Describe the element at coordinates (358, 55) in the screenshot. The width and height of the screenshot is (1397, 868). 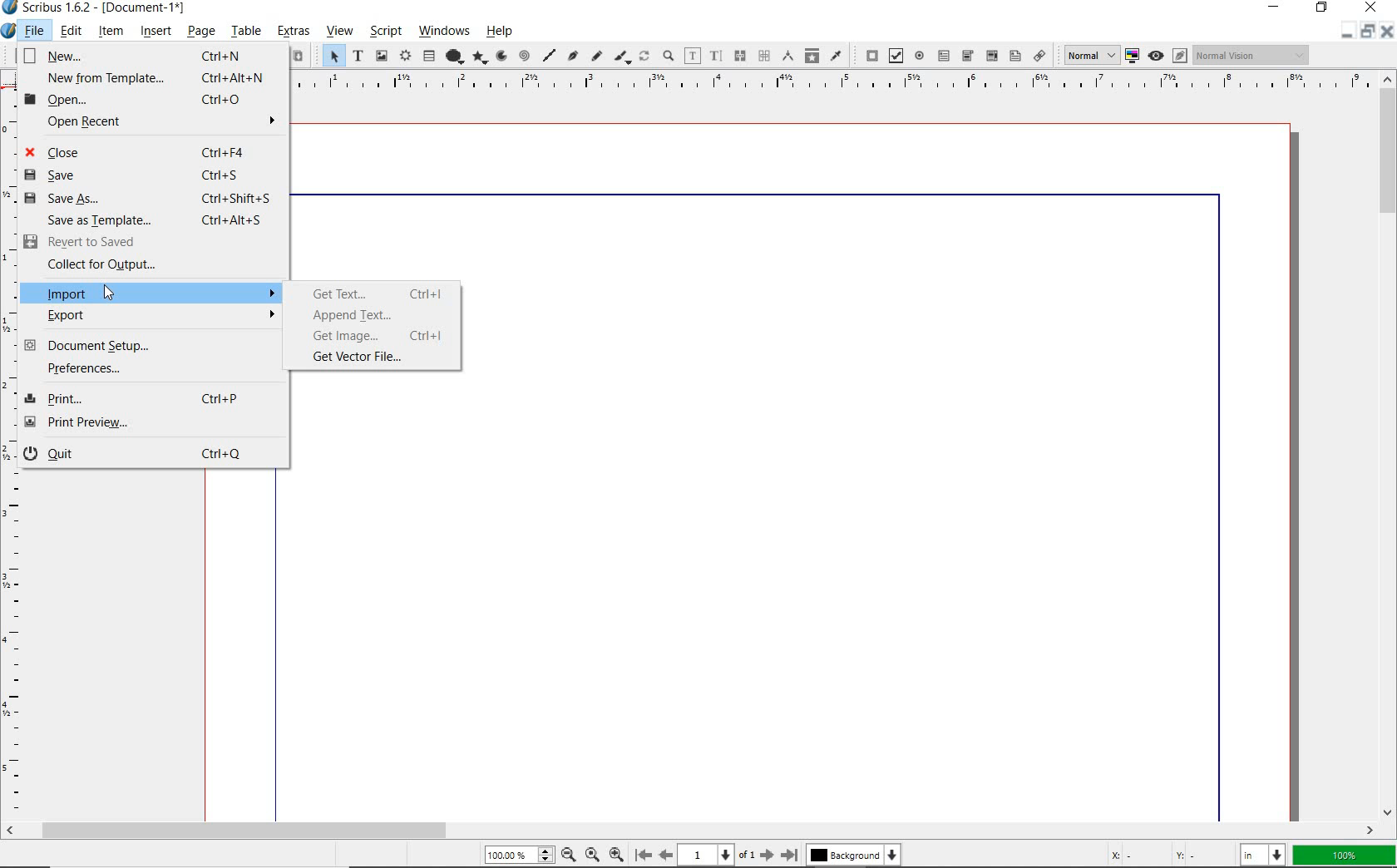
I see `text frame` at that location.